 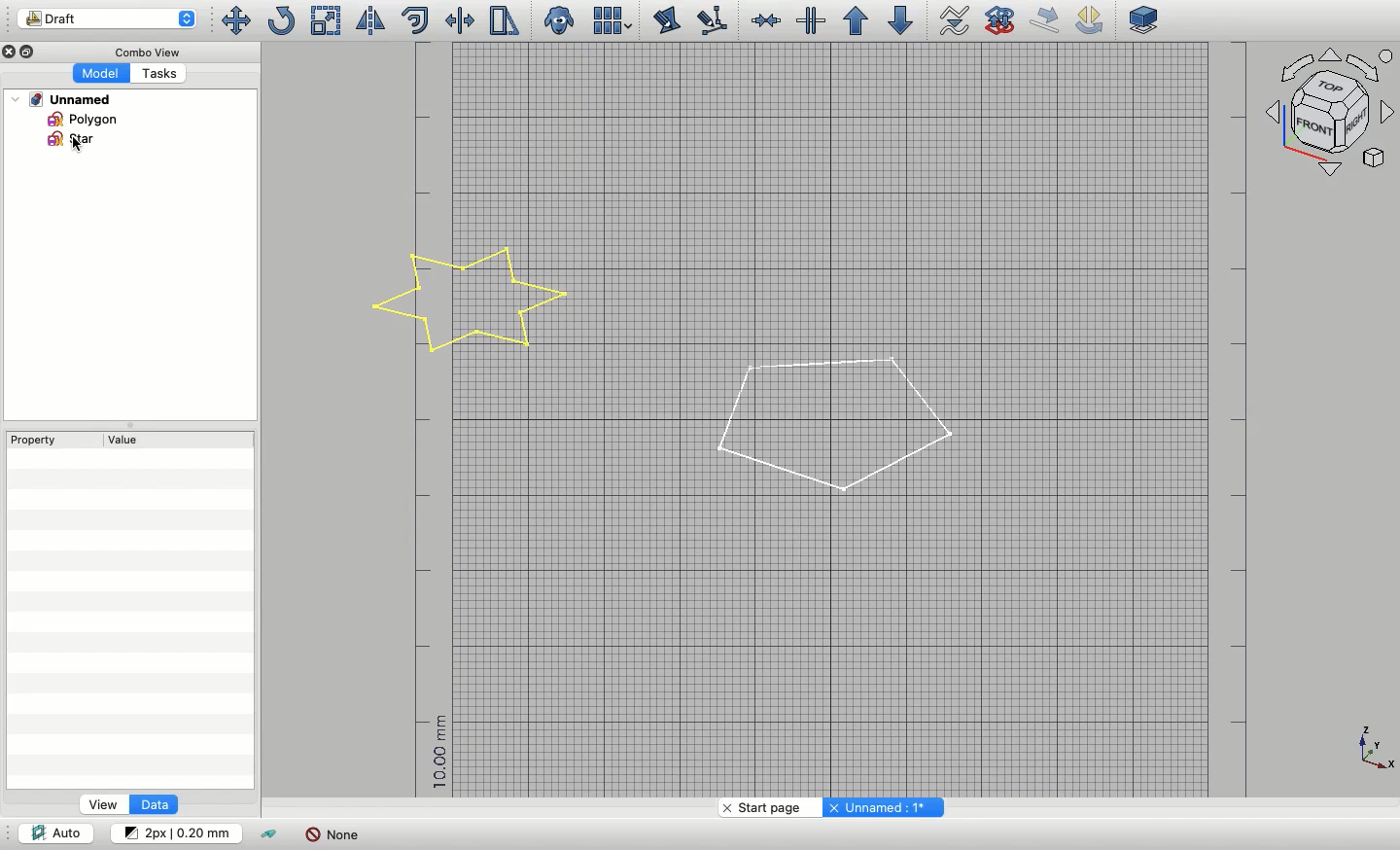 What do you see at coordinates (122, 439) in the screenshot?
I see `Value` at bounding box center [122, 439].